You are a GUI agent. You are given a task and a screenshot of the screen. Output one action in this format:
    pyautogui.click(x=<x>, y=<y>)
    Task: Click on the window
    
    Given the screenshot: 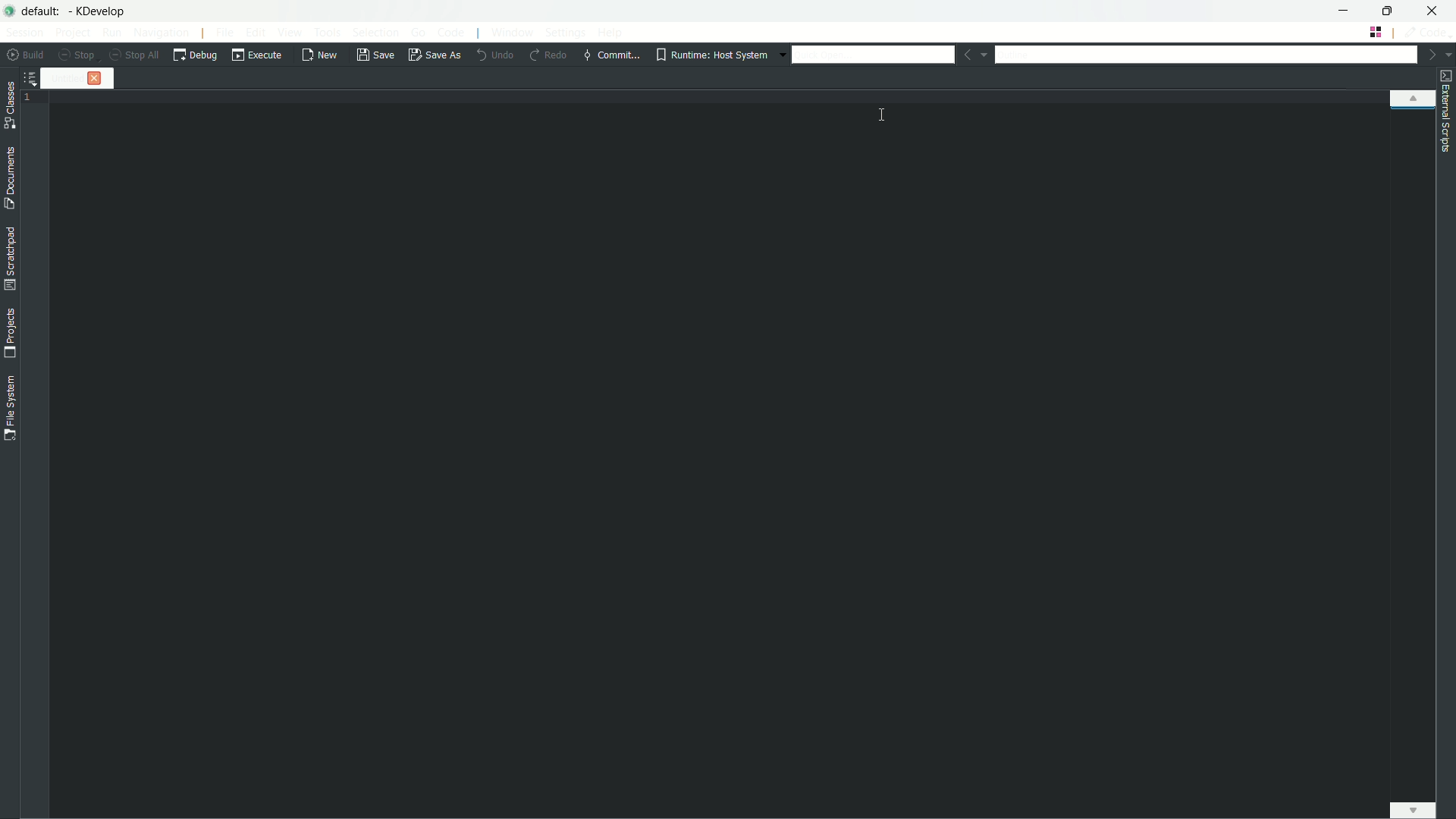 What is the action you would take?
    pyautogui.click(x=513, y=34)
    